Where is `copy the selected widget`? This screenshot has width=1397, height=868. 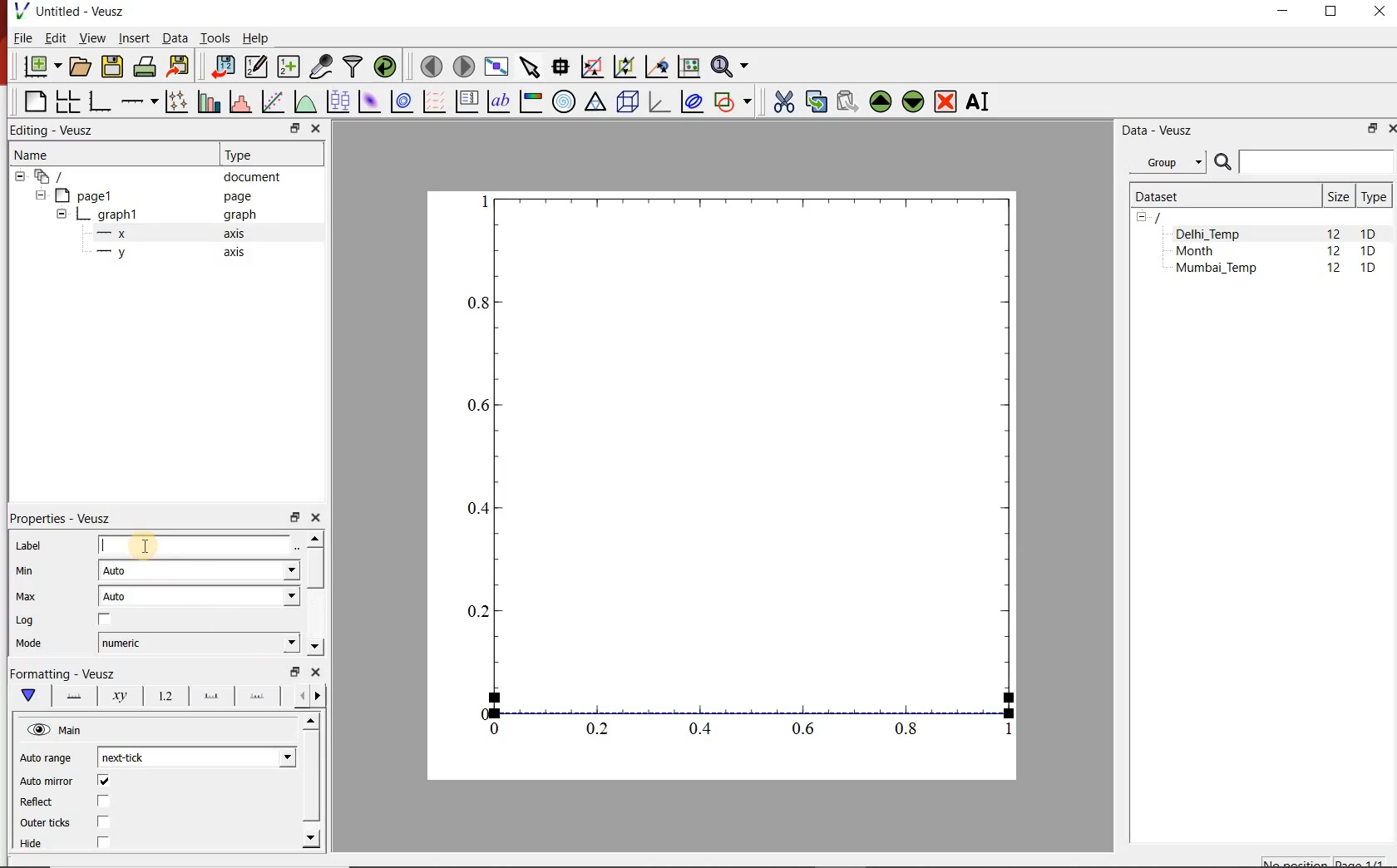 copy the selected widget is located at coordinates (814, 101).